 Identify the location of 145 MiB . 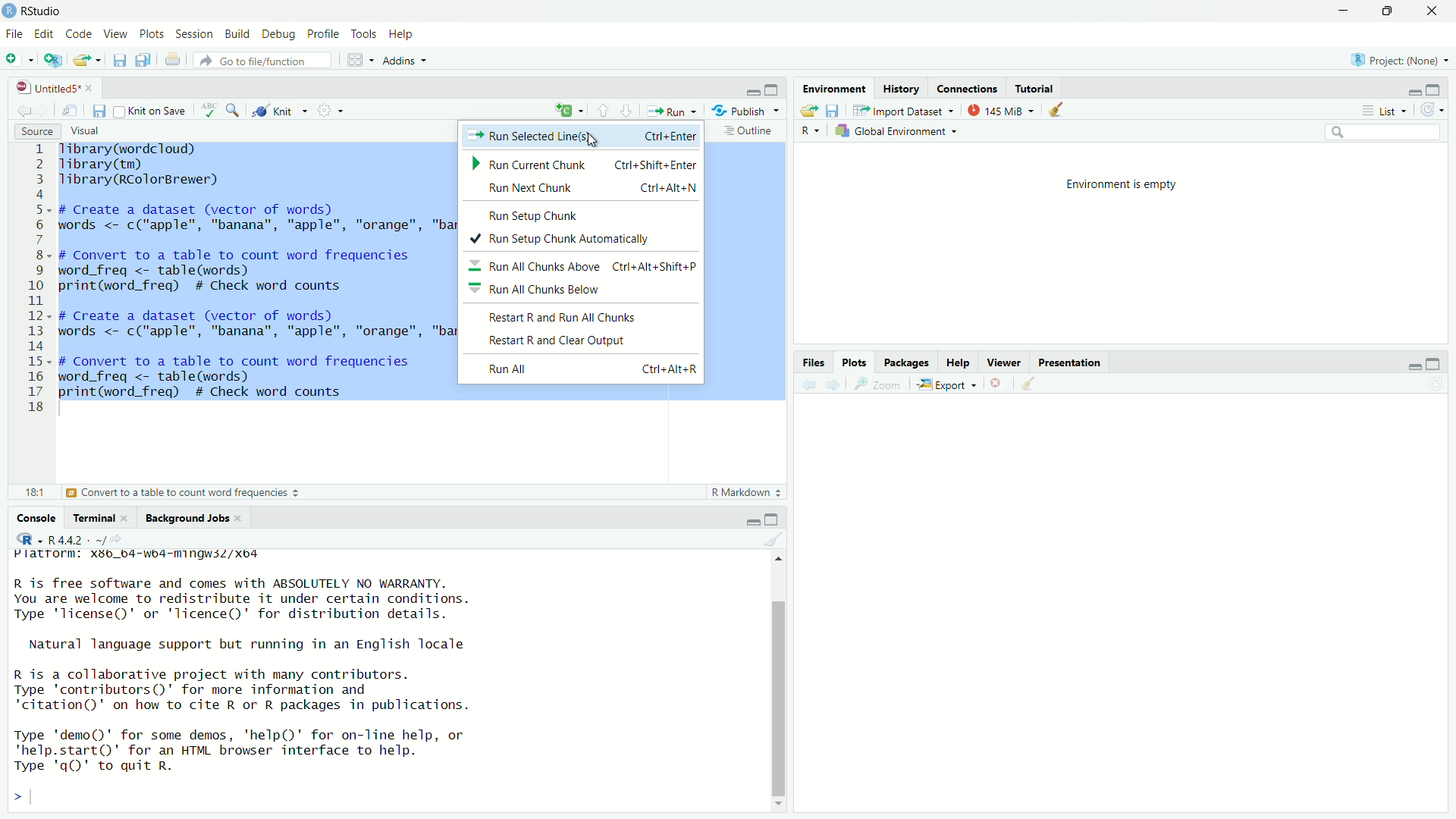
(1002, 113).